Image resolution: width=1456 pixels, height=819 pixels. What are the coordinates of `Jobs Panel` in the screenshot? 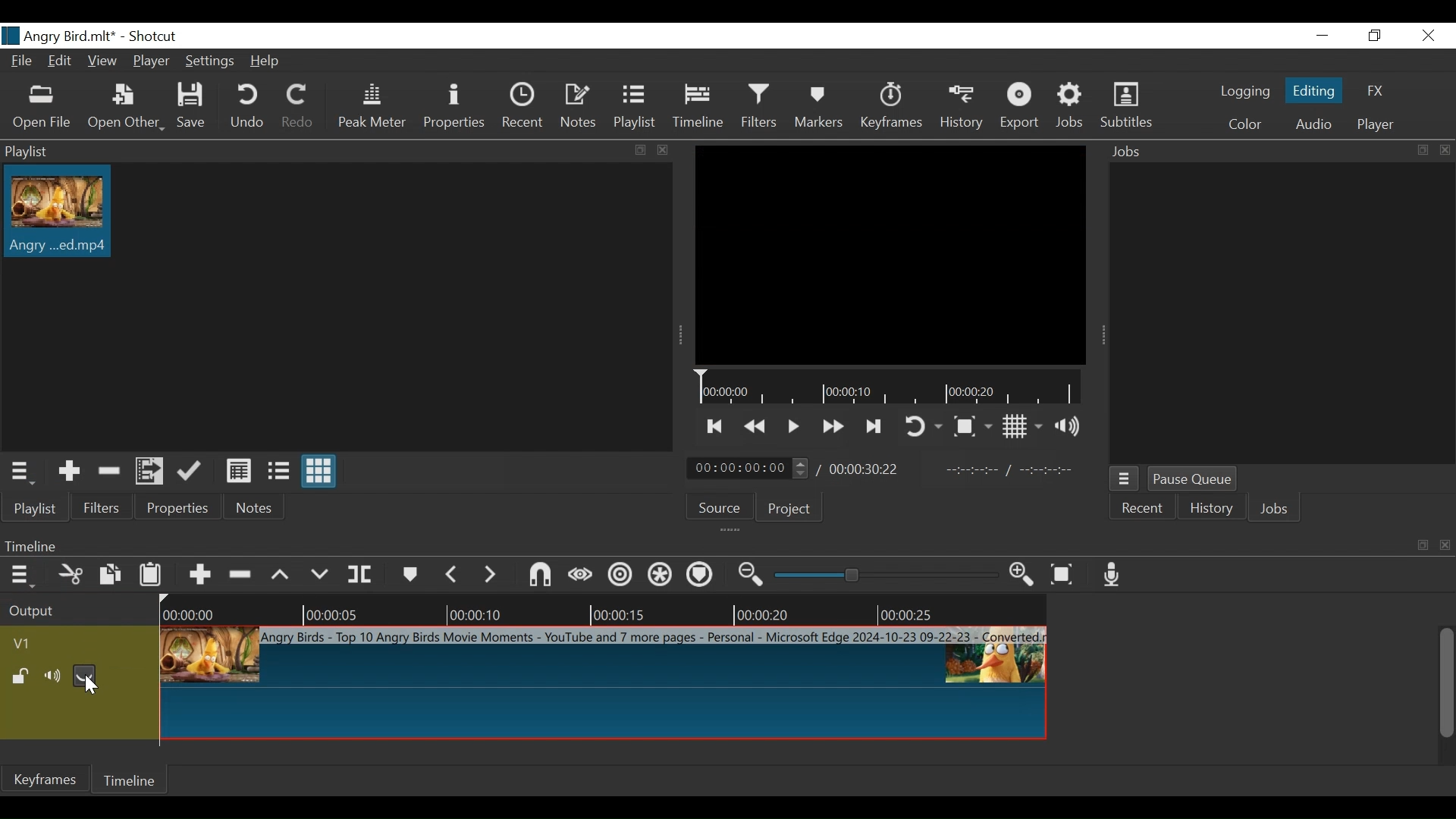 It's located at (1282, 149).